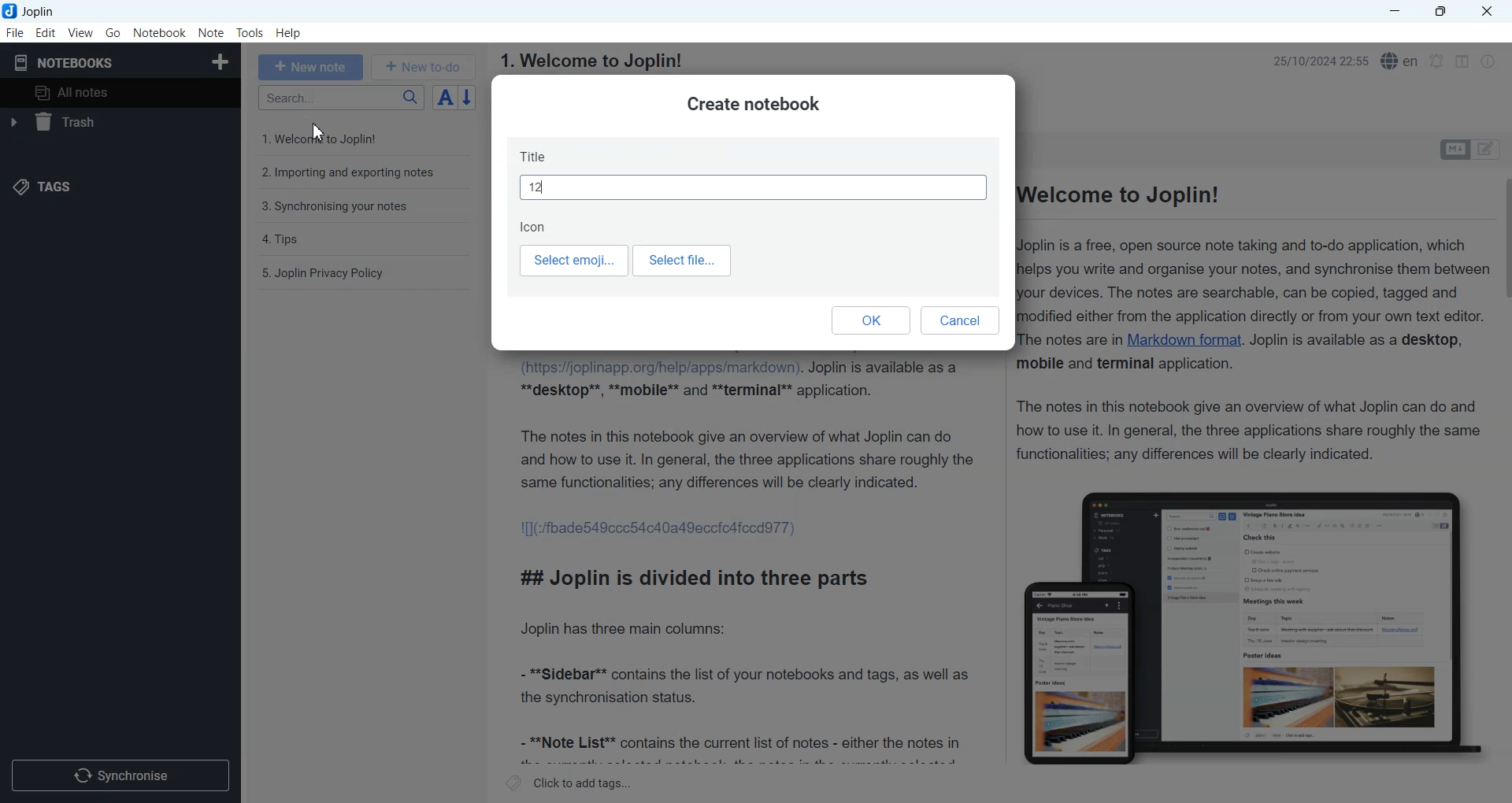  I want to click on 25/10/2024 22:55, so click(1316, 59).